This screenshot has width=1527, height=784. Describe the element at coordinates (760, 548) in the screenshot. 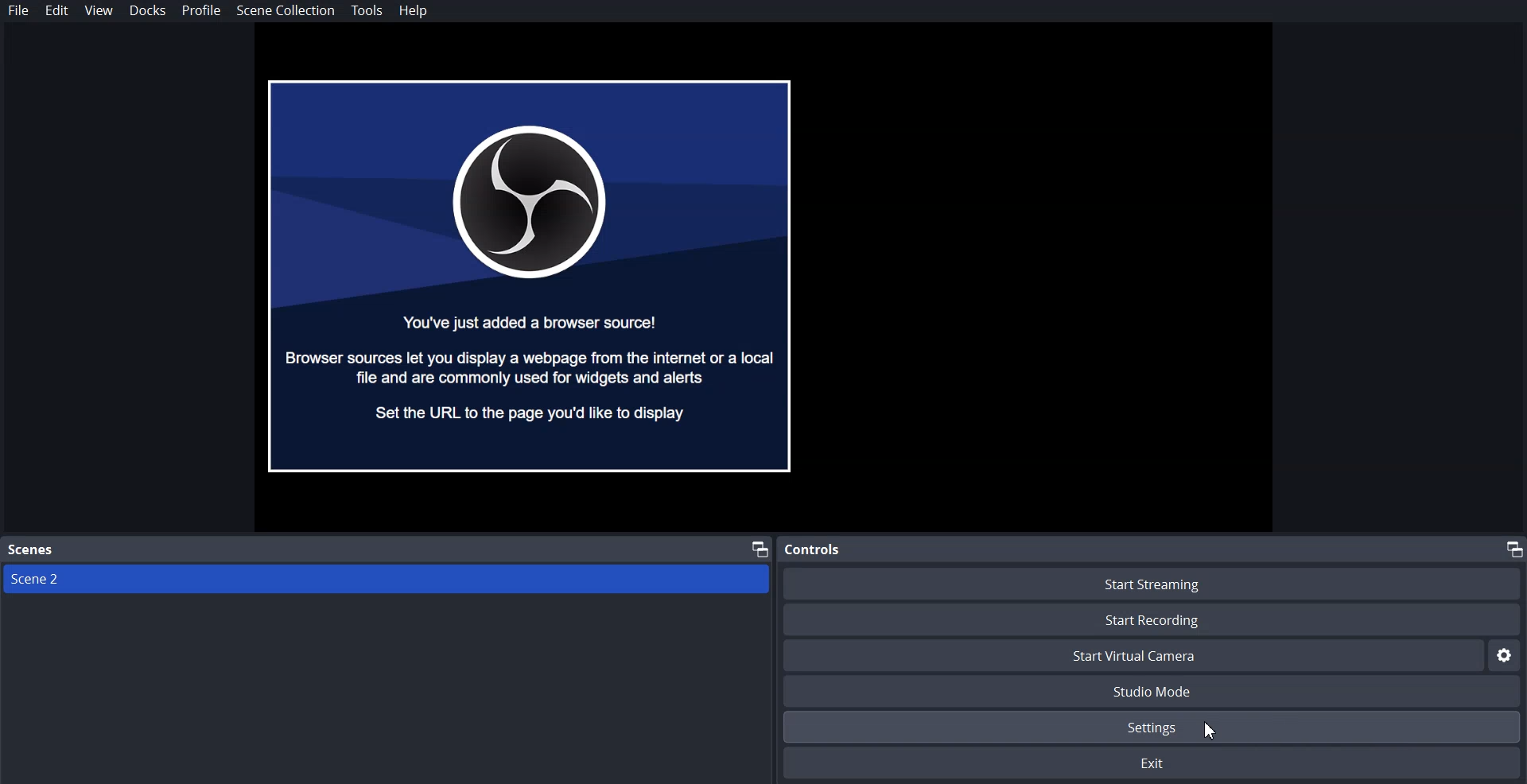

I see `Maximize` at that location.